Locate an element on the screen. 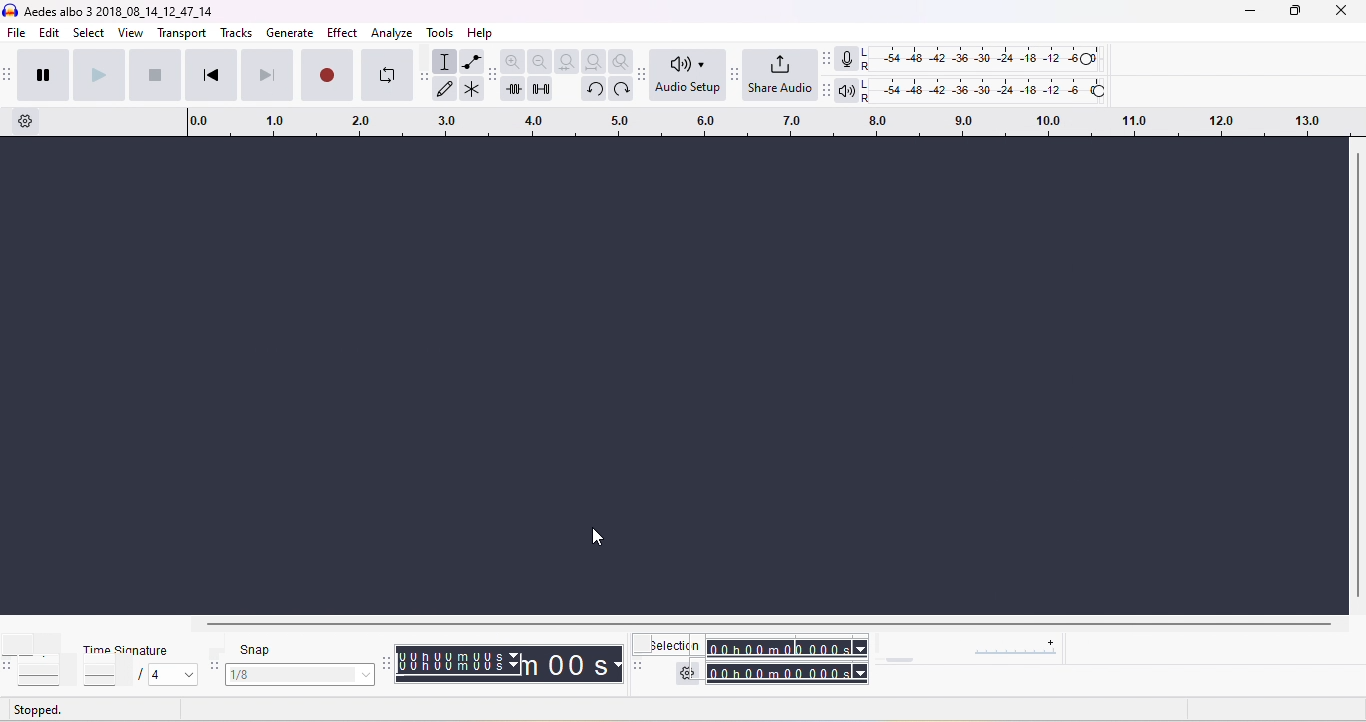 This screenshot has width=1366, height=722. Audacity playback meter toolbar is located at coordinates (828, 91).